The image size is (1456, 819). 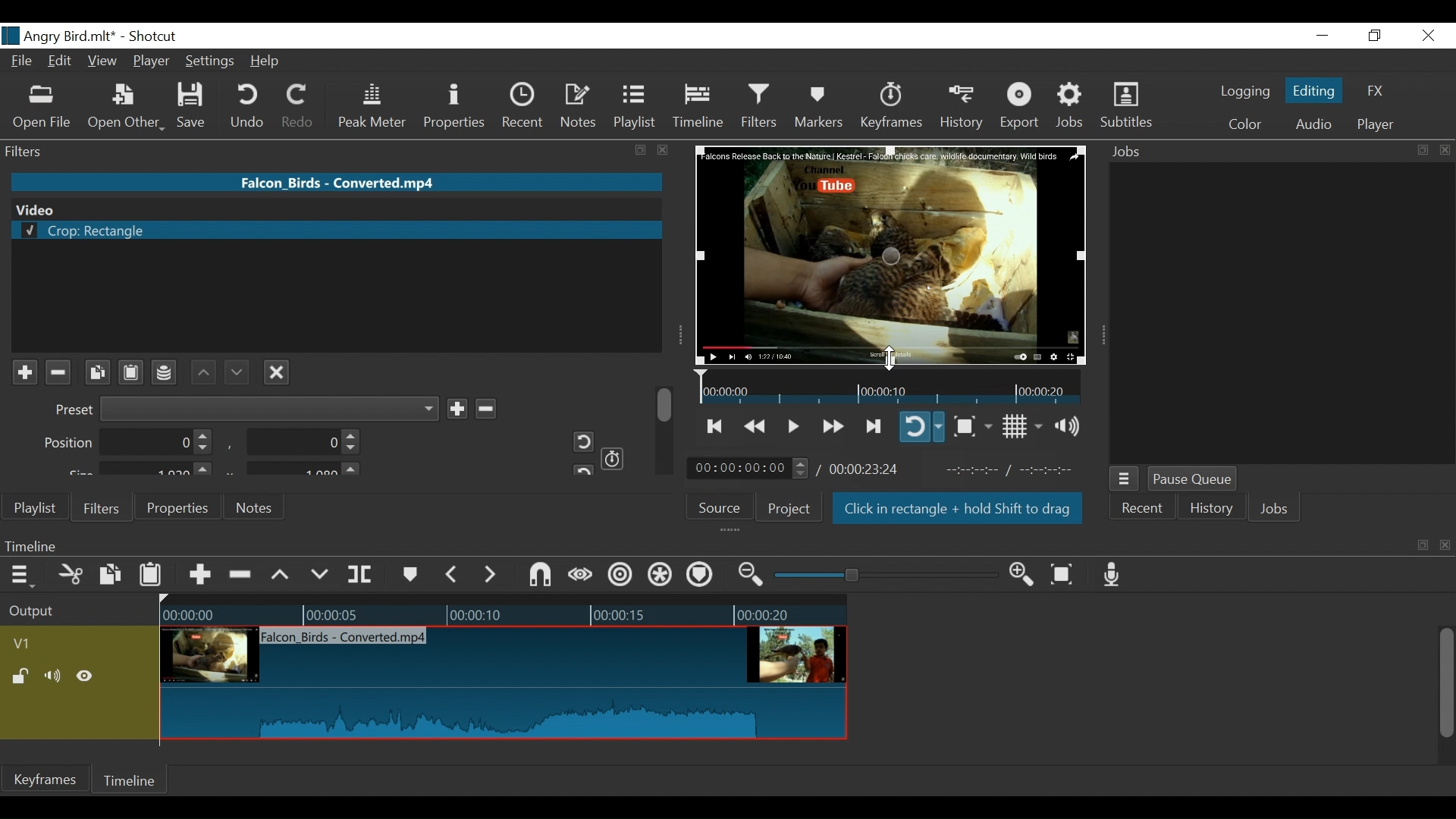 I want to click on Zoom timeline out, so click(x=753, y=575).